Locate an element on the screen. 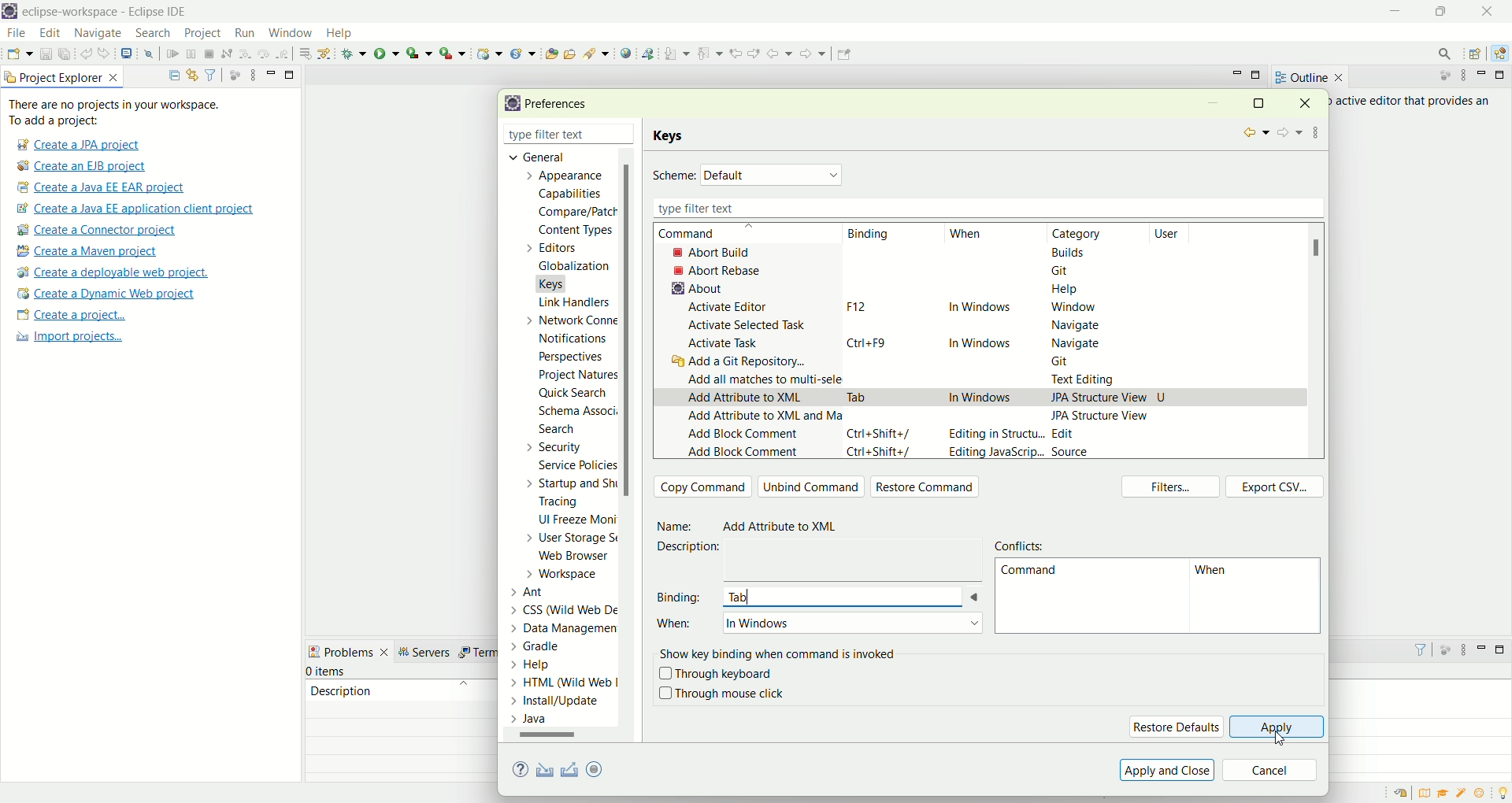  editing in structure...Edit is located at coordinates (1014, 435).